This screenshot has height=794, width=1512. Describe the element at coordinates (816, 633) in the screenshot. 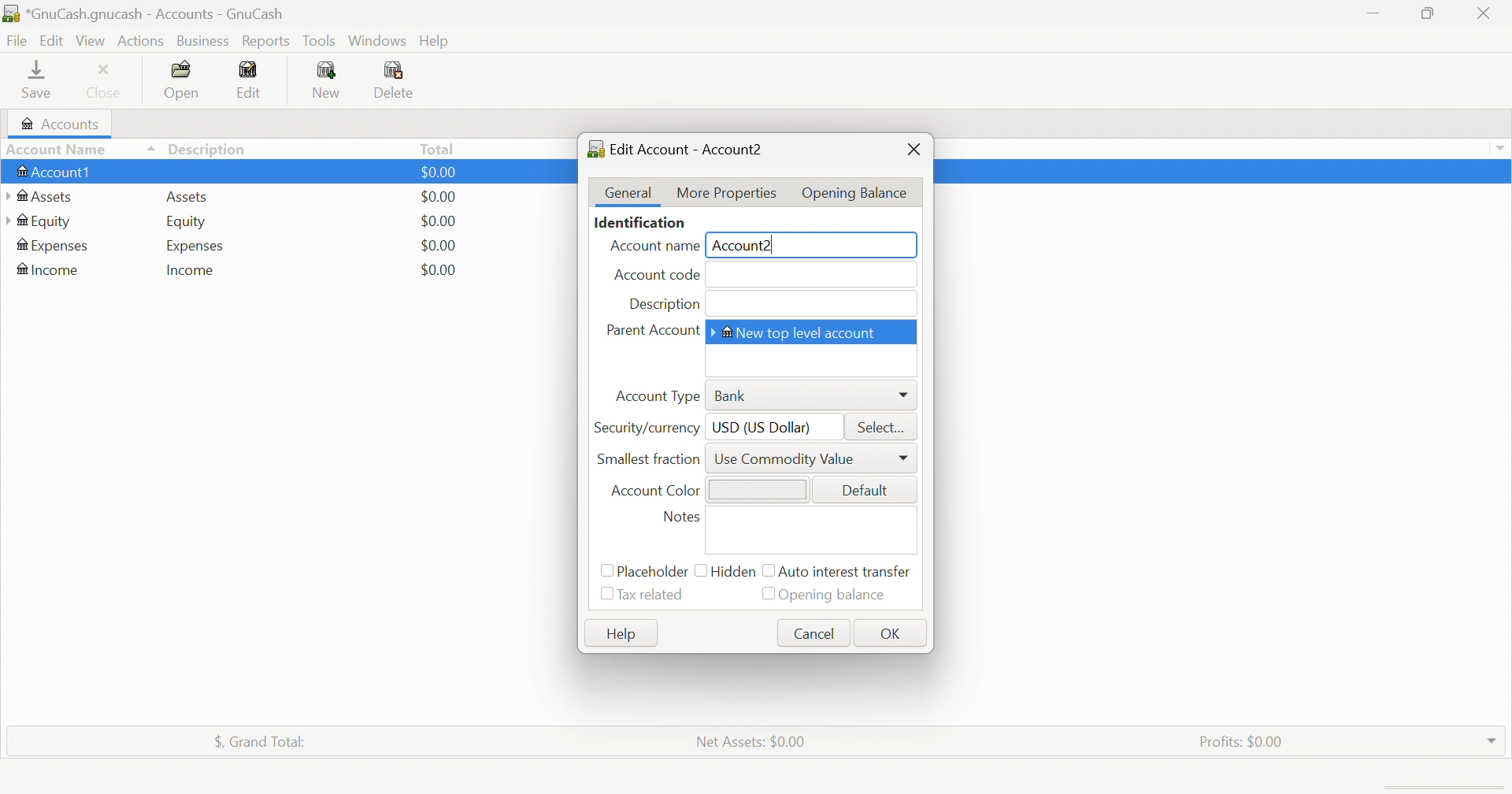

I see `Cancel` at that location.